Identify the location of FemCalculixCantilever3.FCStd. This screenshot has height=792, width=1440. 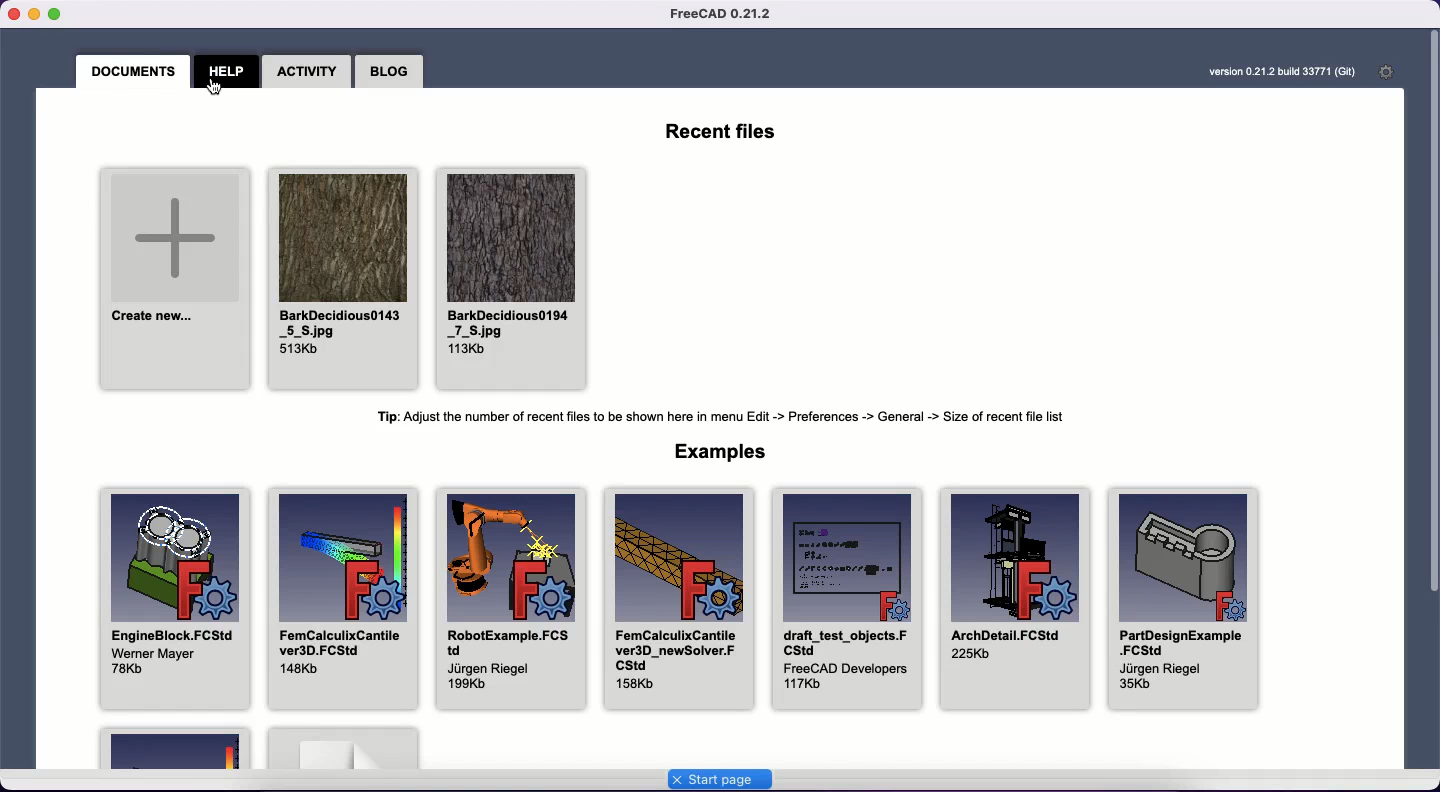
(339, 599).